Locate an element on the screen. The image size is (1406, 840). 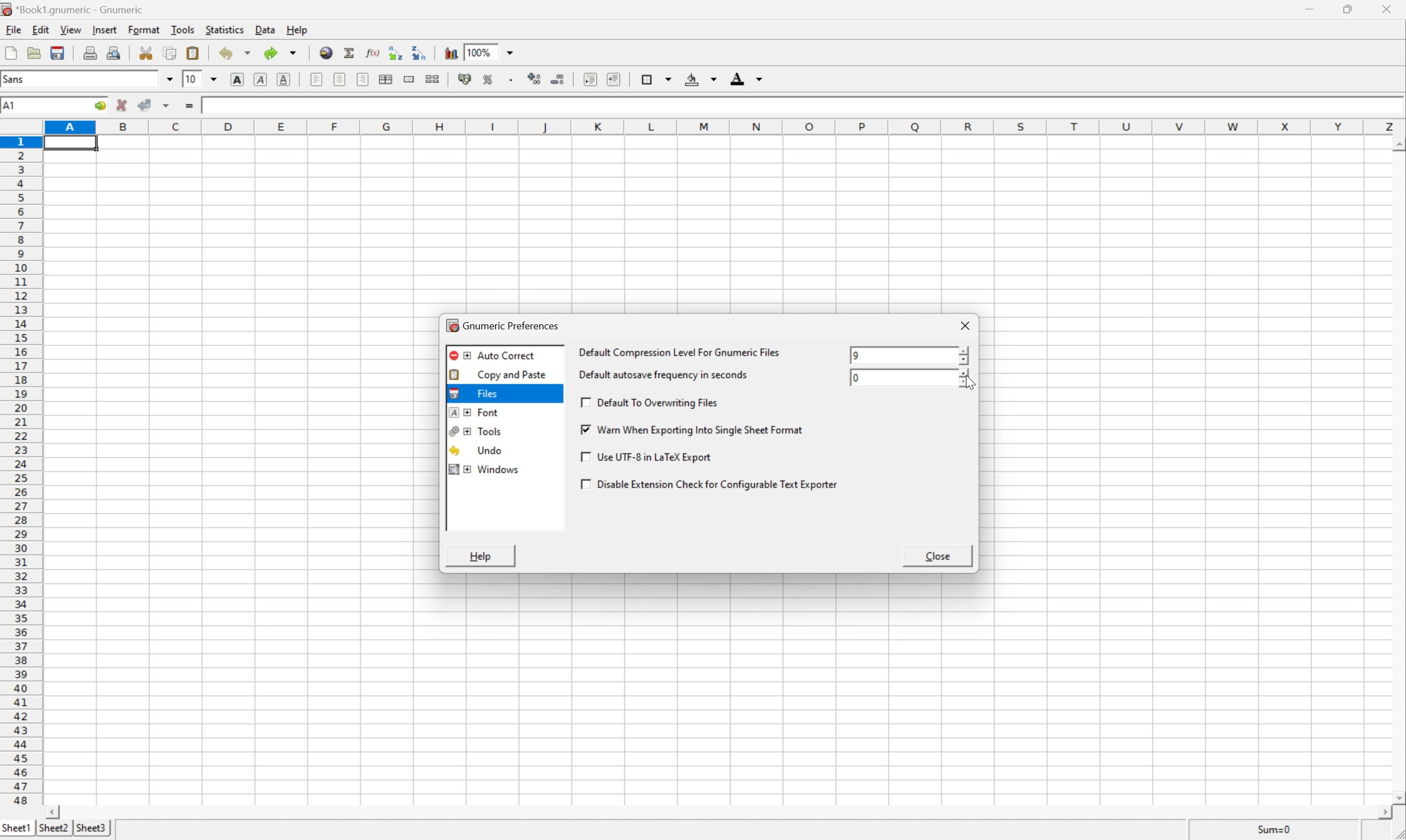
100% is located at coordinates (490, 52).